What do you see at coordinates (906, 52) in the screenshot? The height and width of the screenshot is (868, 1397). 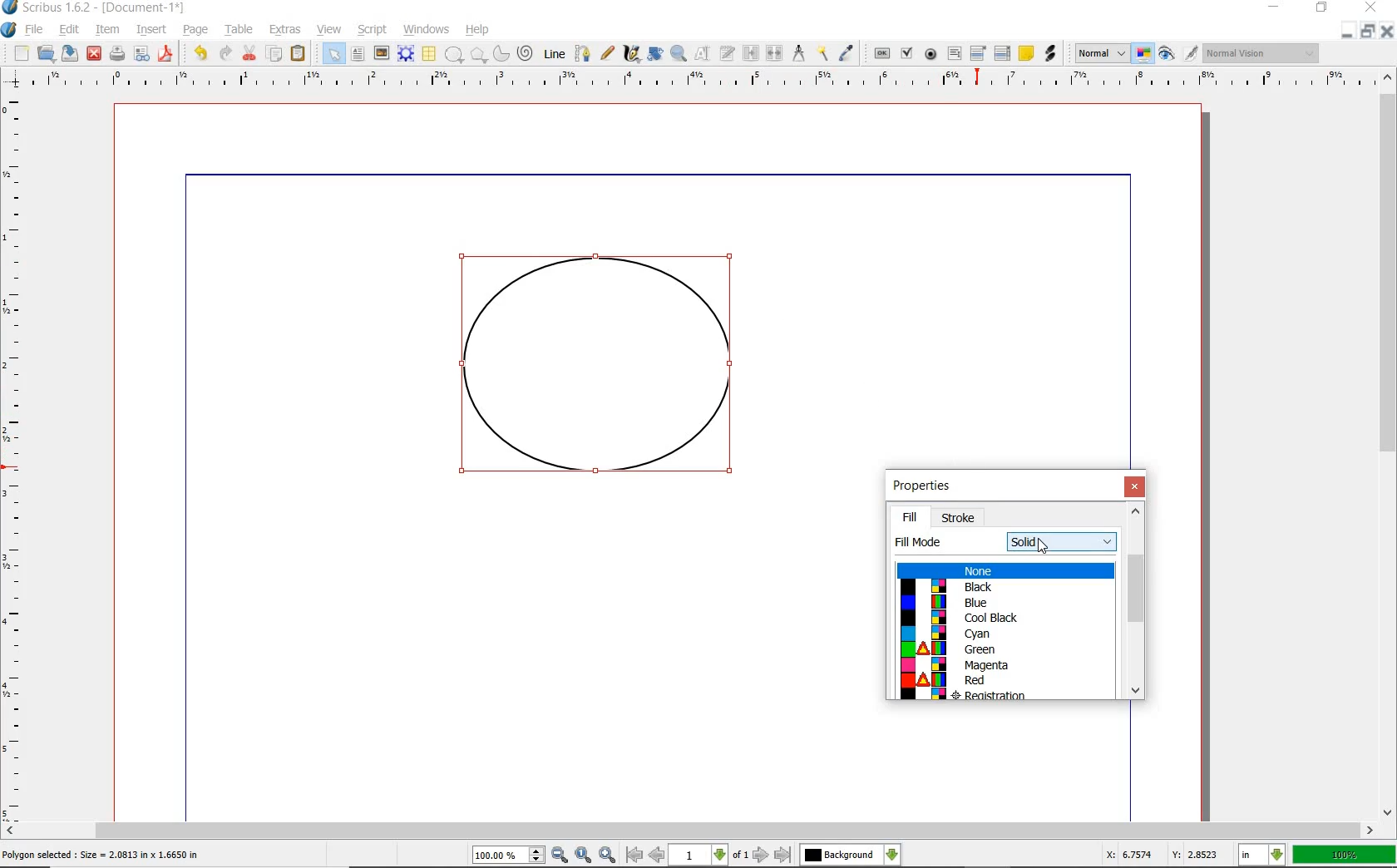 I see `PDF CHECK BOX` at bounding box center [906, 52].